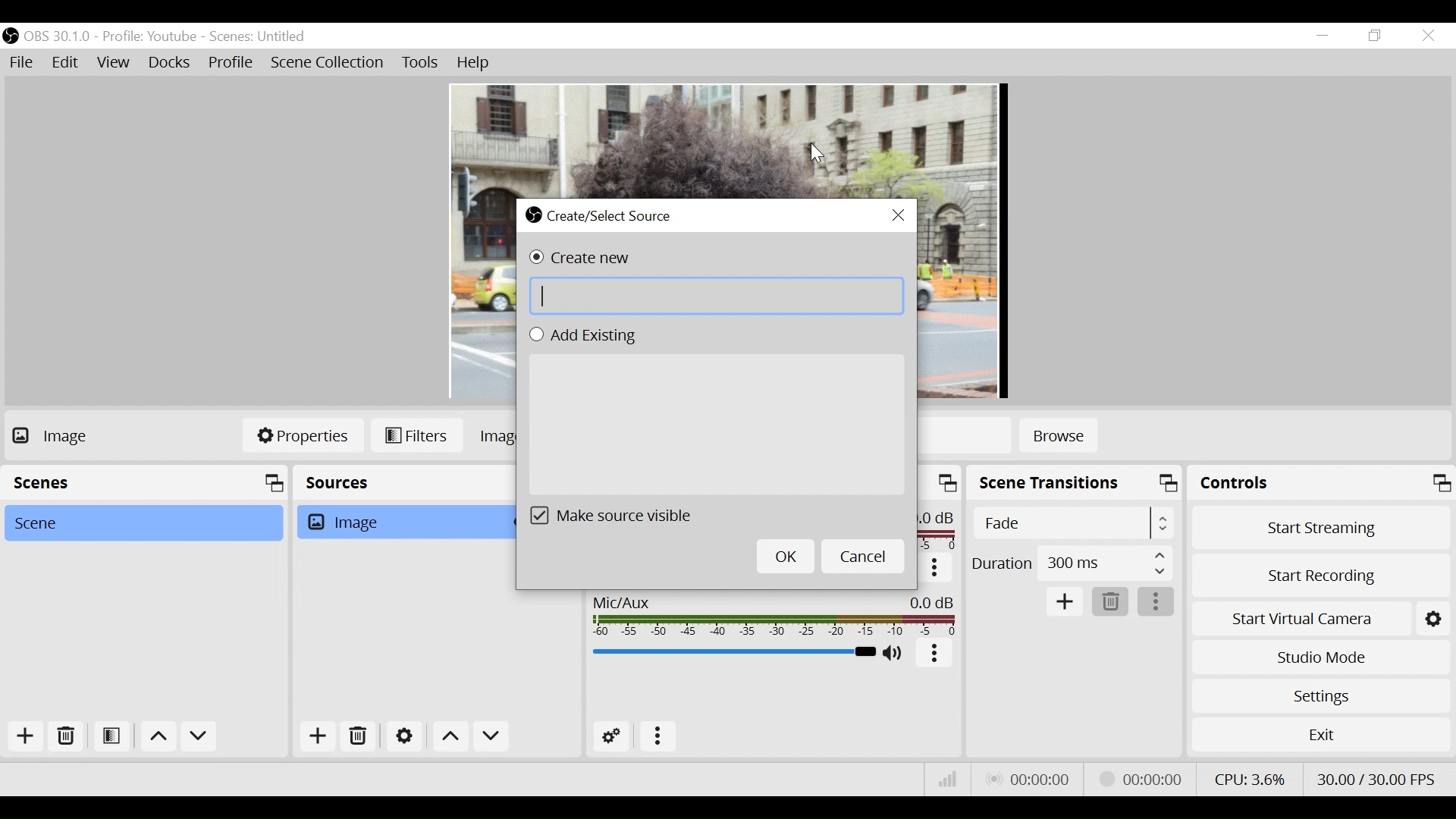 The image size is (1456, 819). I want to click on Settings, so click(1431, 620).